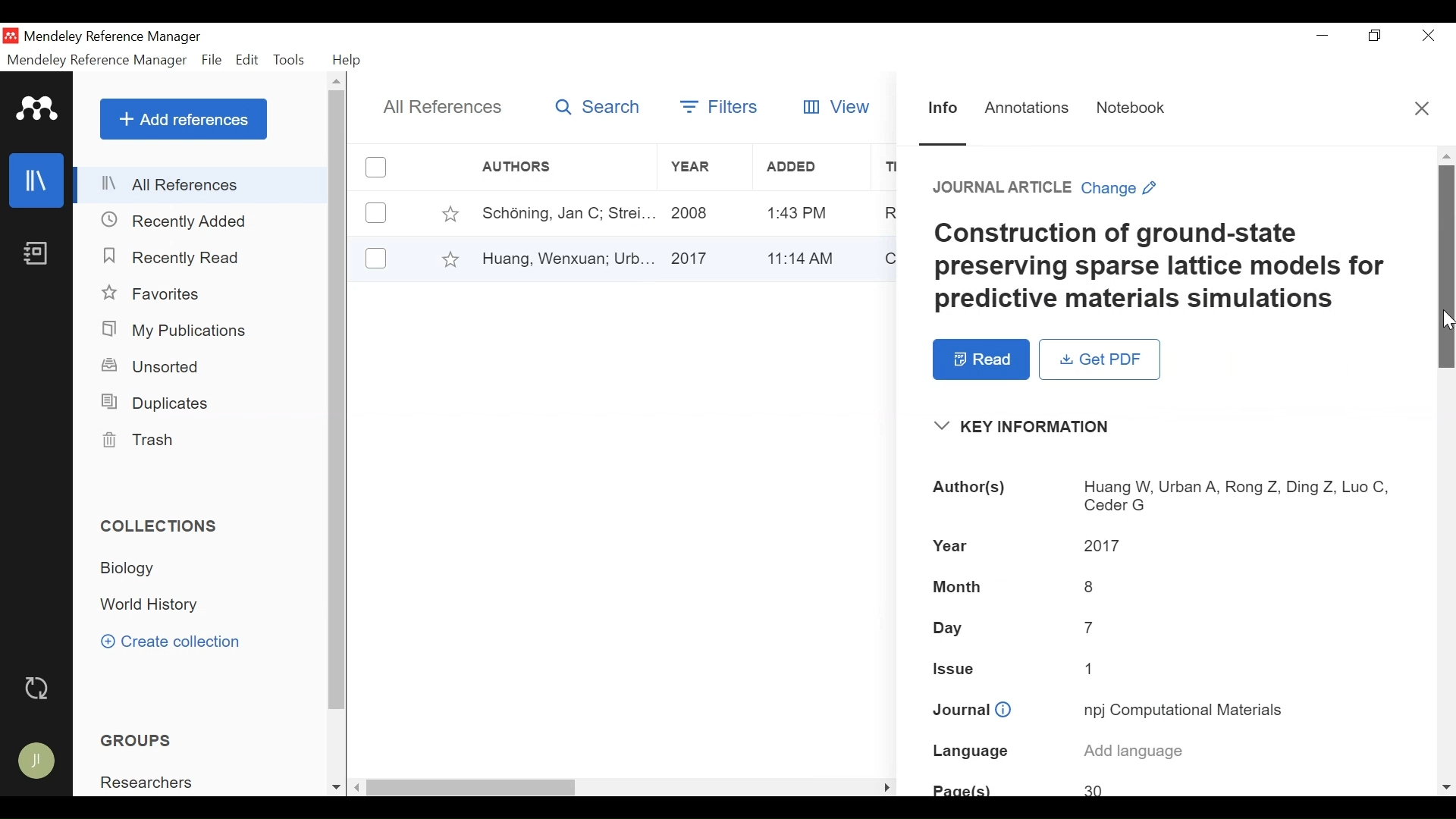 The height and width of the screenshot is (819, 1456). I want to click on Get PDF, so click(1100, 359).